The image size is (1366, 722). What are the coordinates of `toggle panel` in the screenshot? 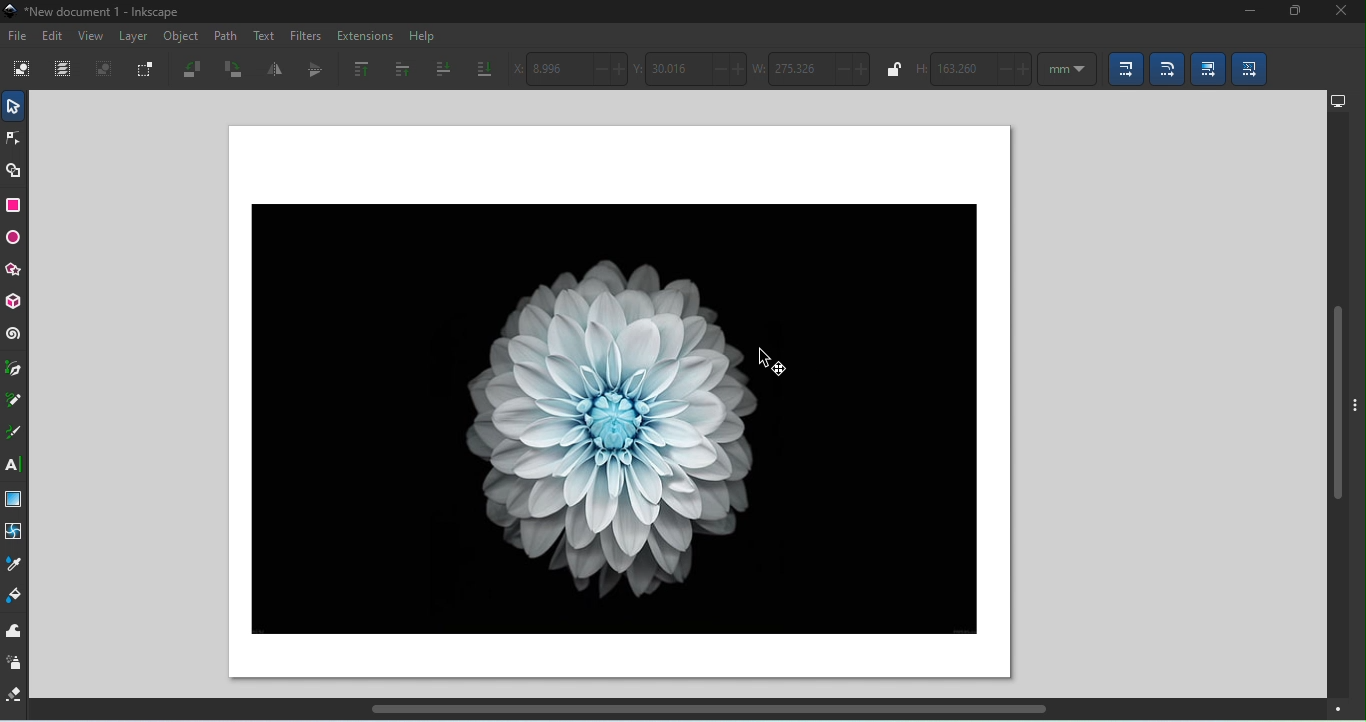 It's located at (1356, 419).